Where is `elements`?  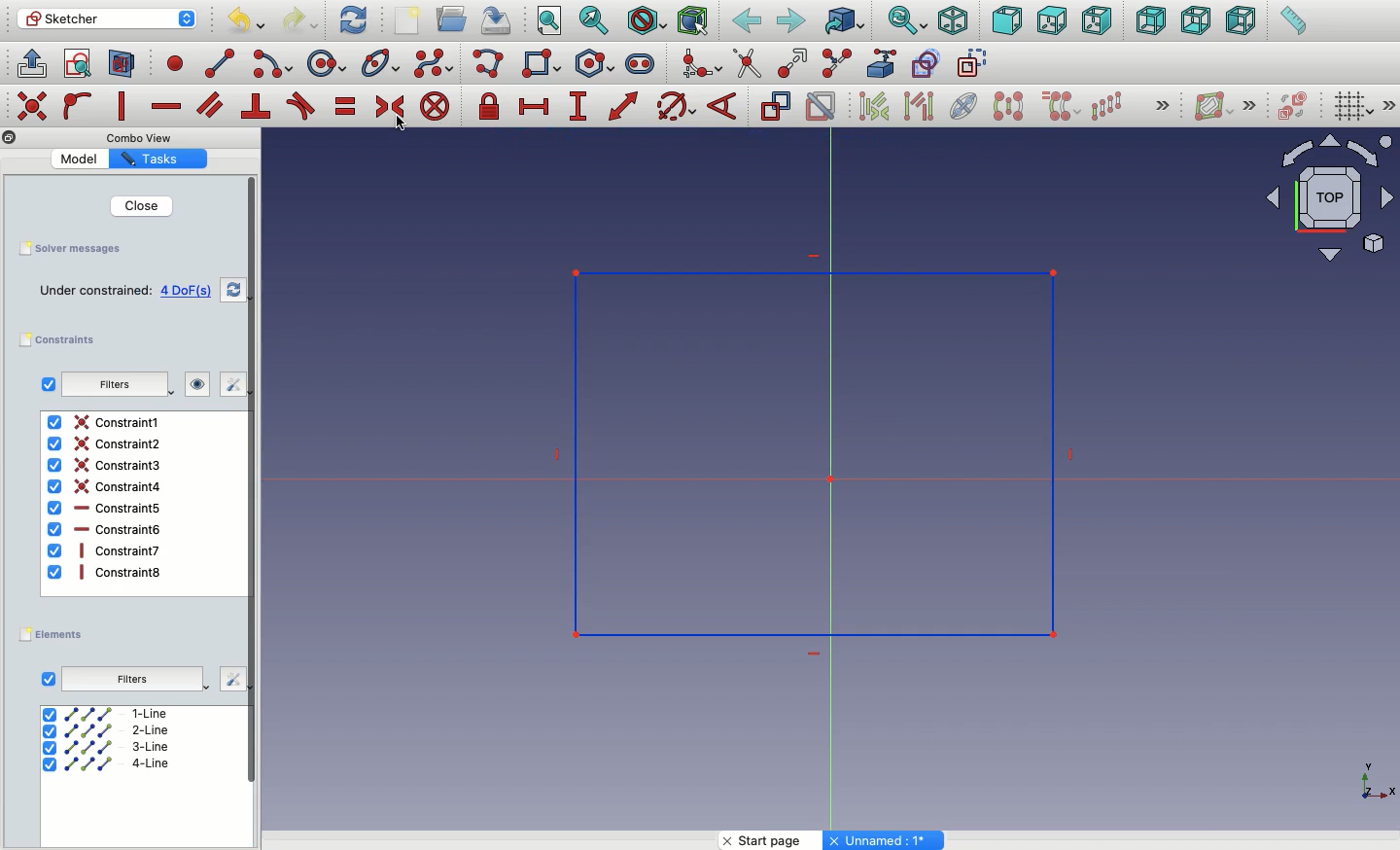
elements is located at coordinates (54, 635).